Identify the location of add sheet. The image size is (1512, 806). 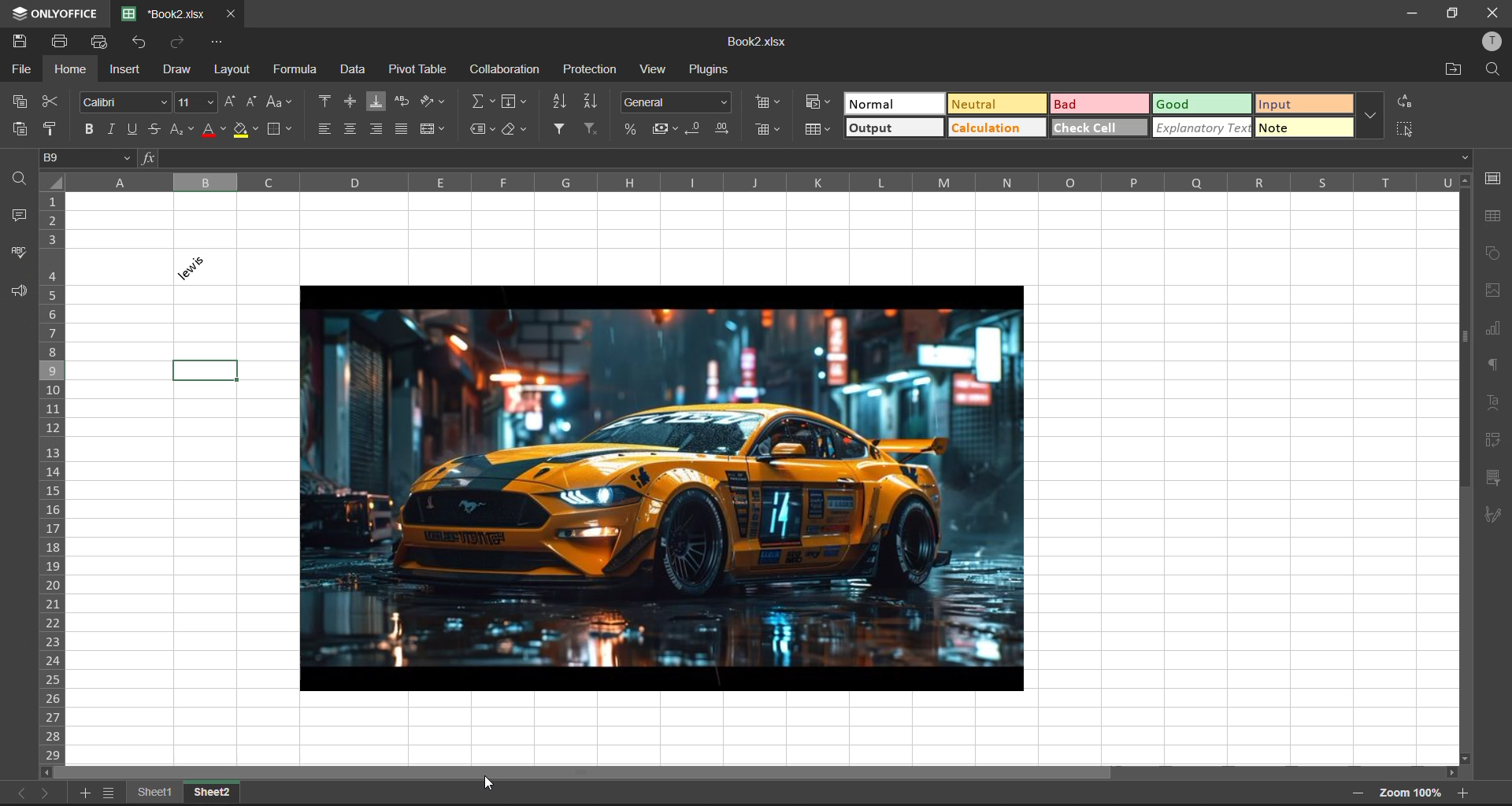
(86, 795).